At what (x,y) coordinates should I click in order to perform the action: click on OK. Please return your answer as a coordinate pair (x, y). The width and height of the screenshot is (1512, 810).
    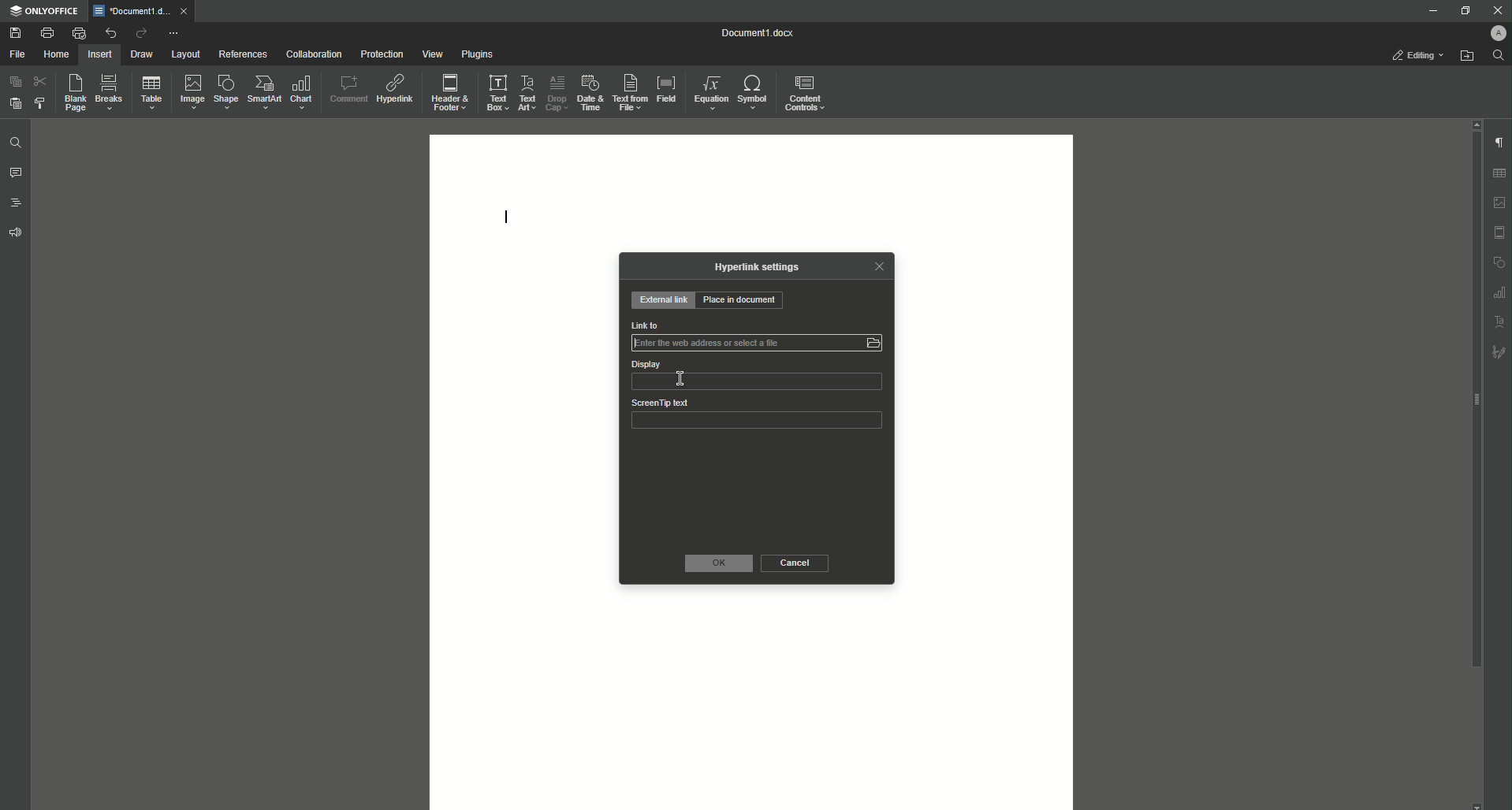
    Looking at the image, I should click on (718, 563).